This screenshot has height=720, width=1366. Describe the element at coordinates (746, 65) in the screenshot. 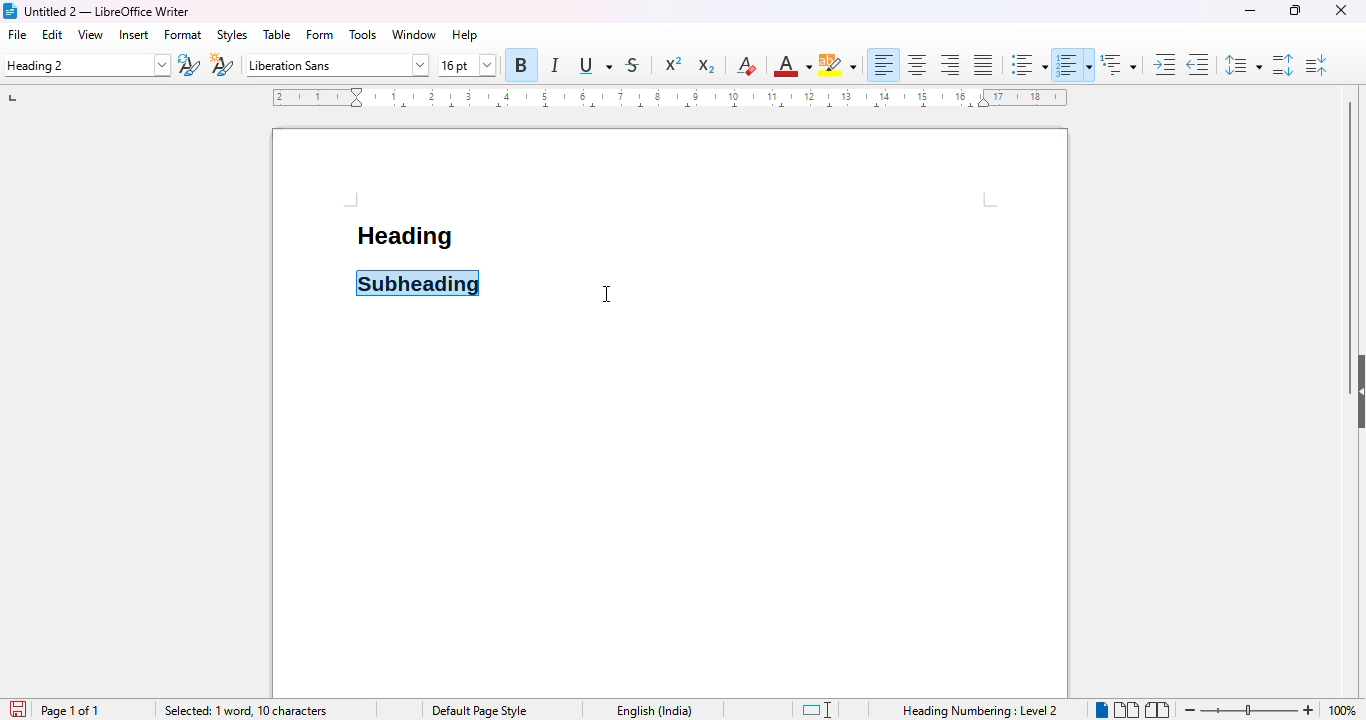

I see `clear direct formatting` at that location.